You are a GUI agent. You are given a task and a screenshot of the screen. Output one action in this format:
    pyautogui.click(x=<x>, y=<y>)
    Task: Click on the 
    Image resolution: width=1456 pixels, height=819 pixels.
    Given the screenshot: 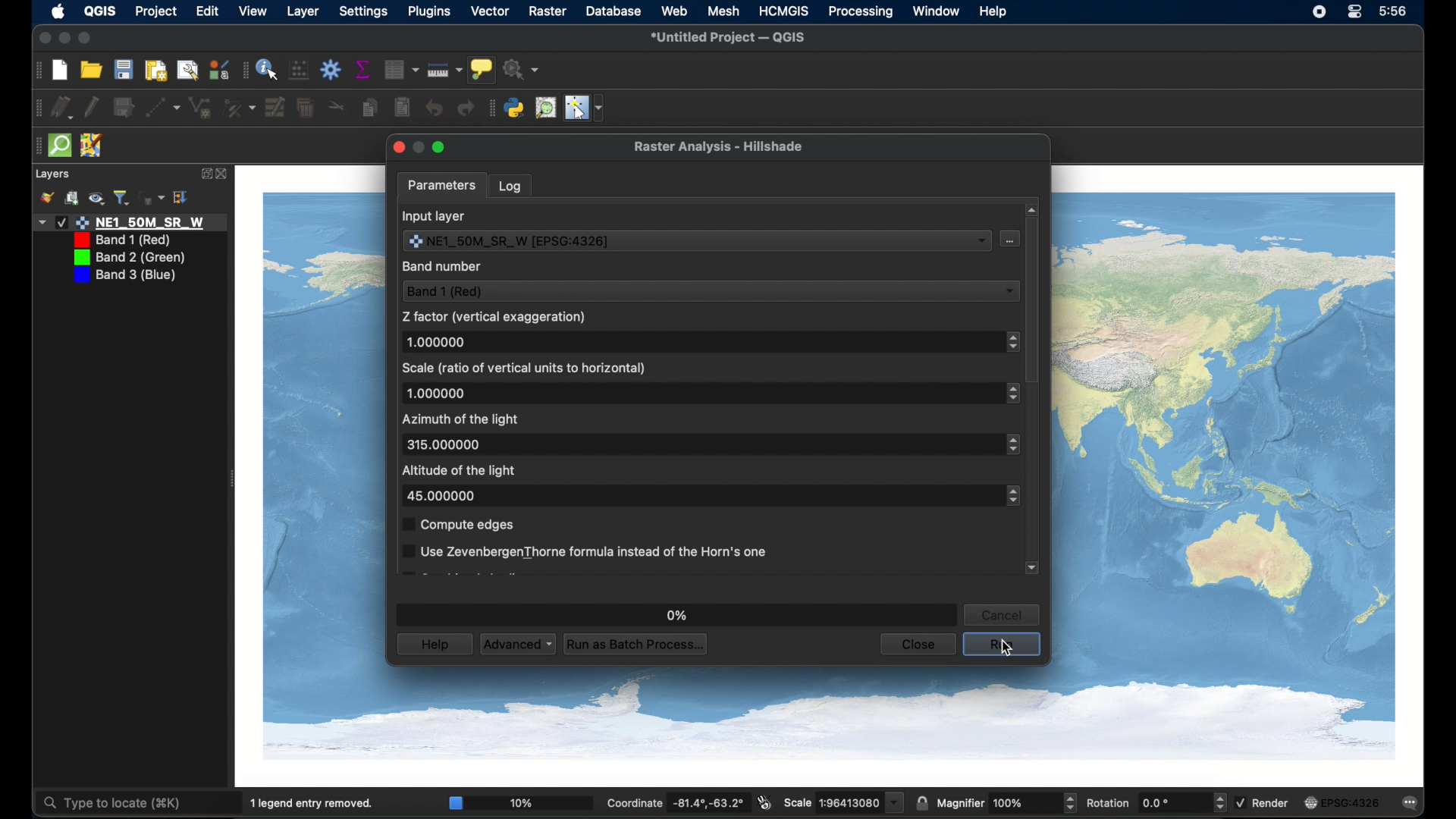 What is the action you would take?
    pyautogui.click(x=402, y=69)
    